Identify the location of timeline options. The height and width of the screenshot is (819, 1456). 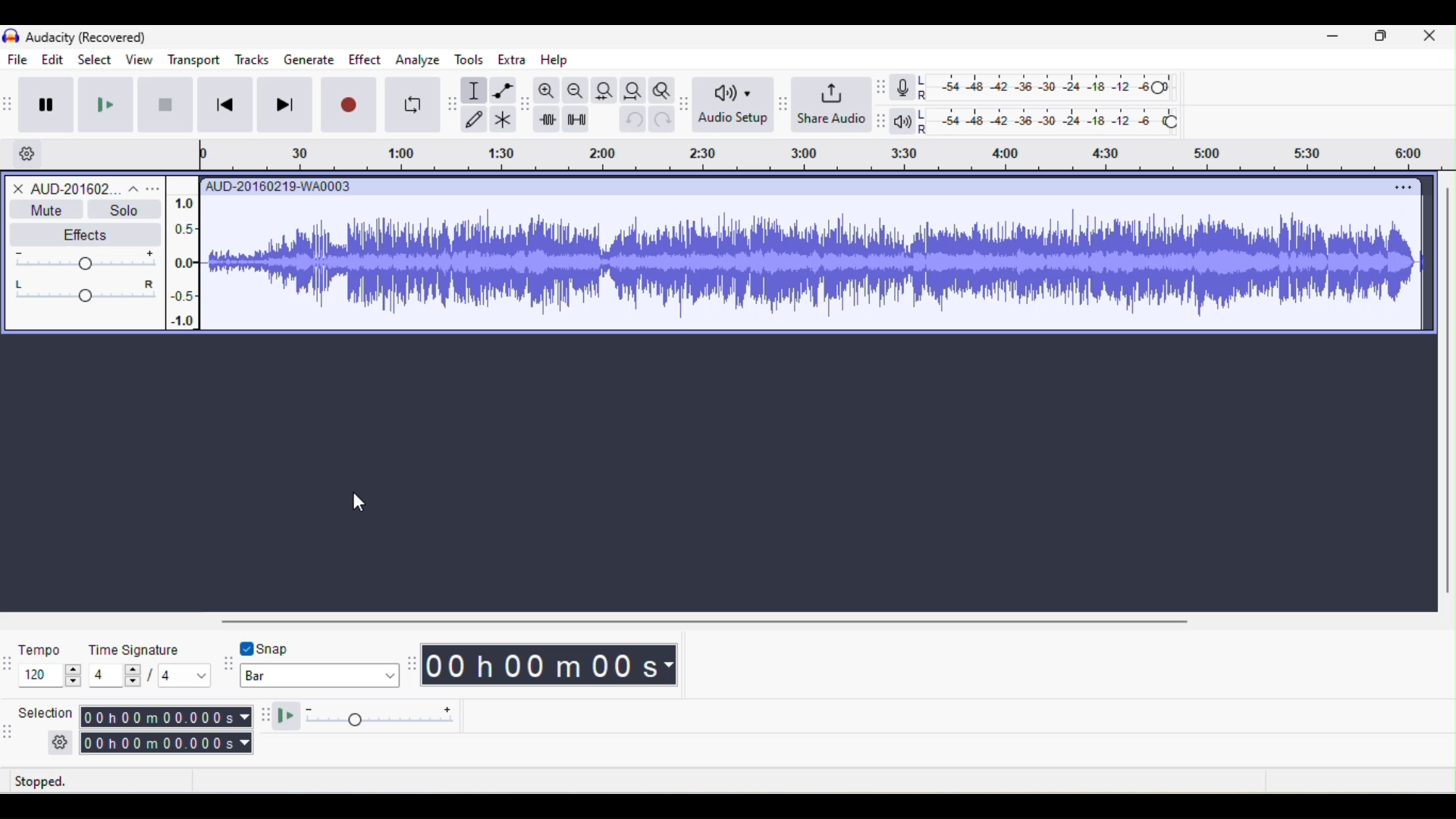
(27, 155).